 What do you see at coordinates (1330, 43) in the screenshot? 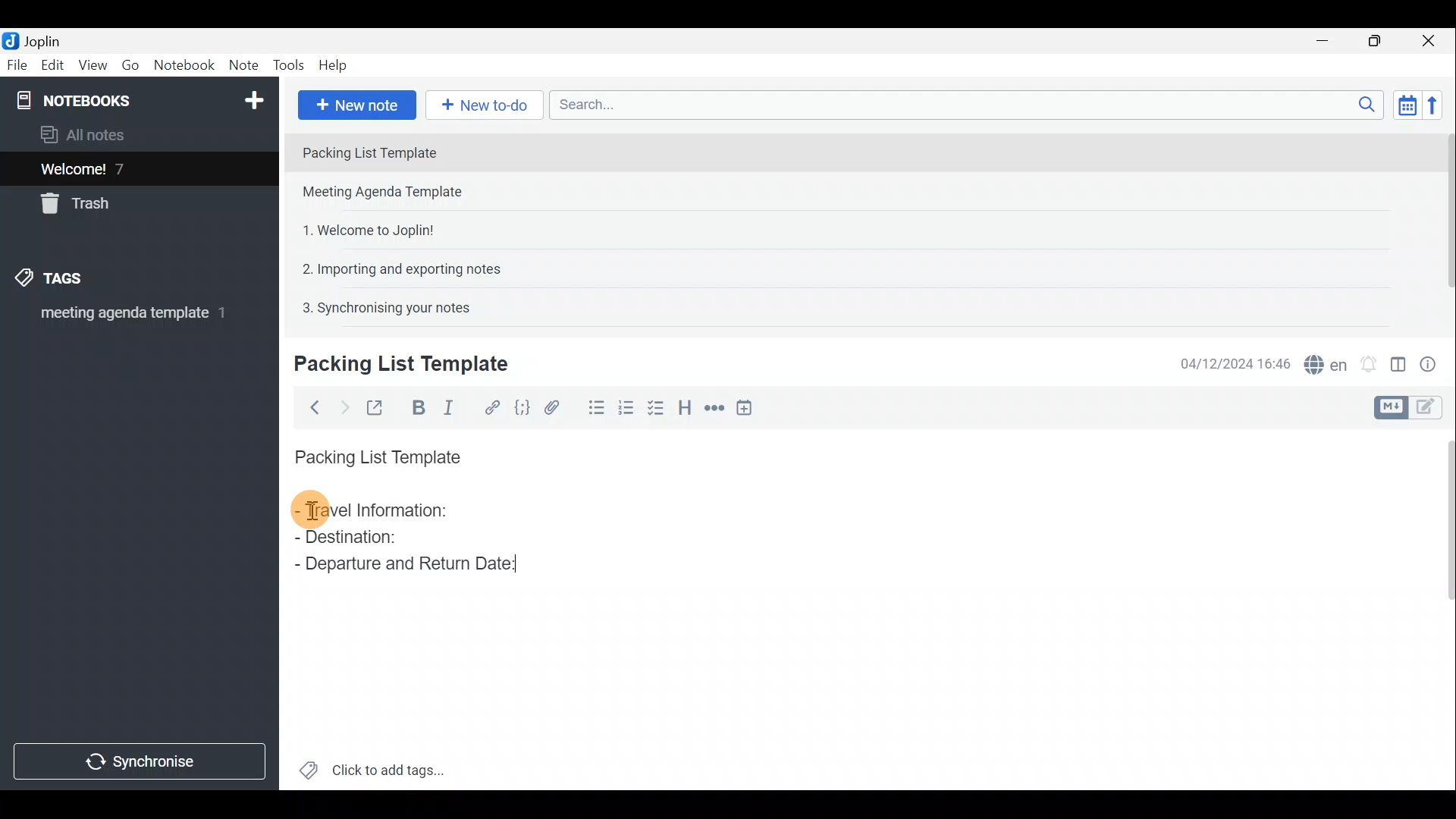
I see `Minimise` at bounding box center [1330, 43].